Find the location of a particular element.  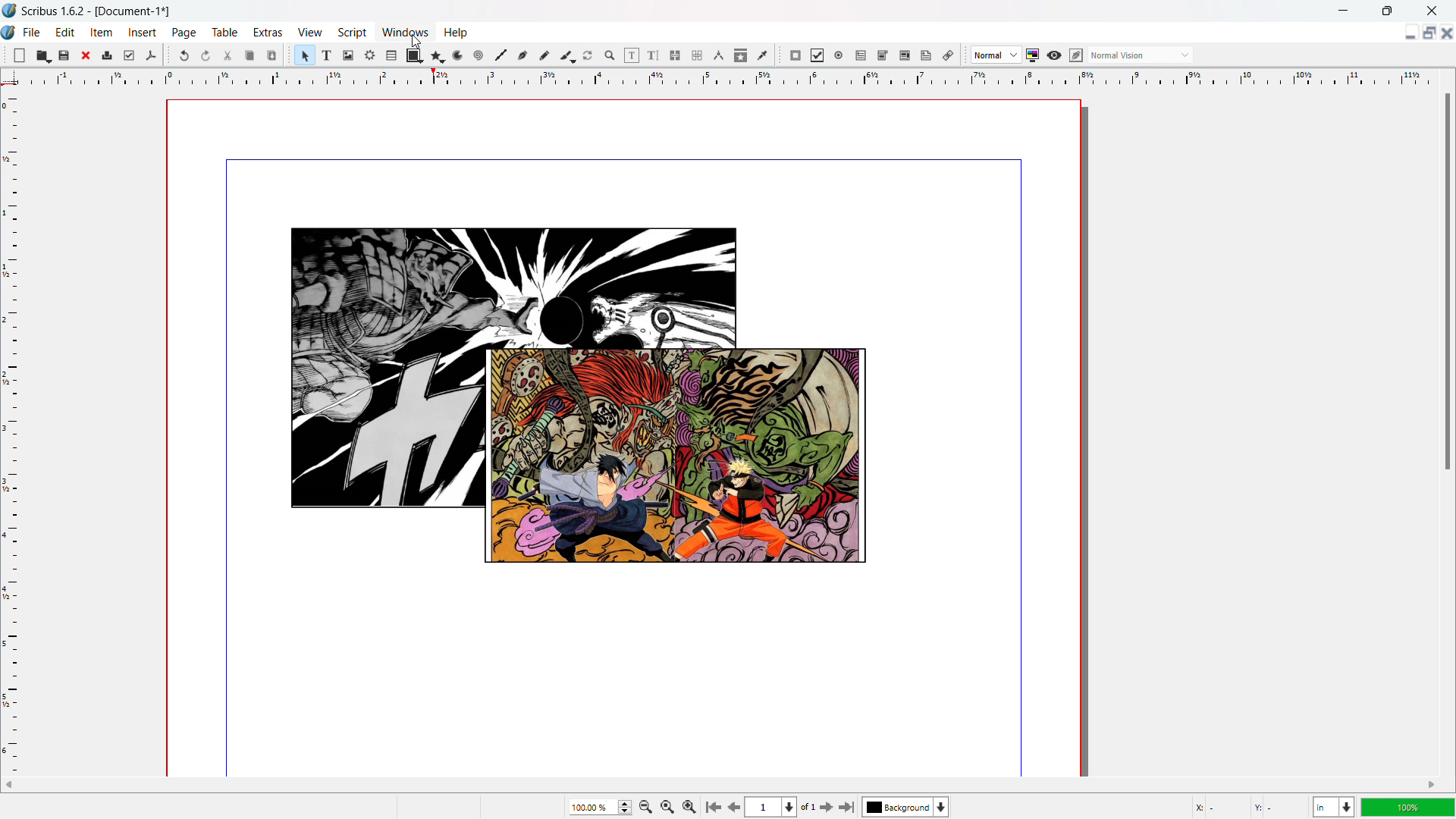

scroll right is located at coordinates (1430, 786).